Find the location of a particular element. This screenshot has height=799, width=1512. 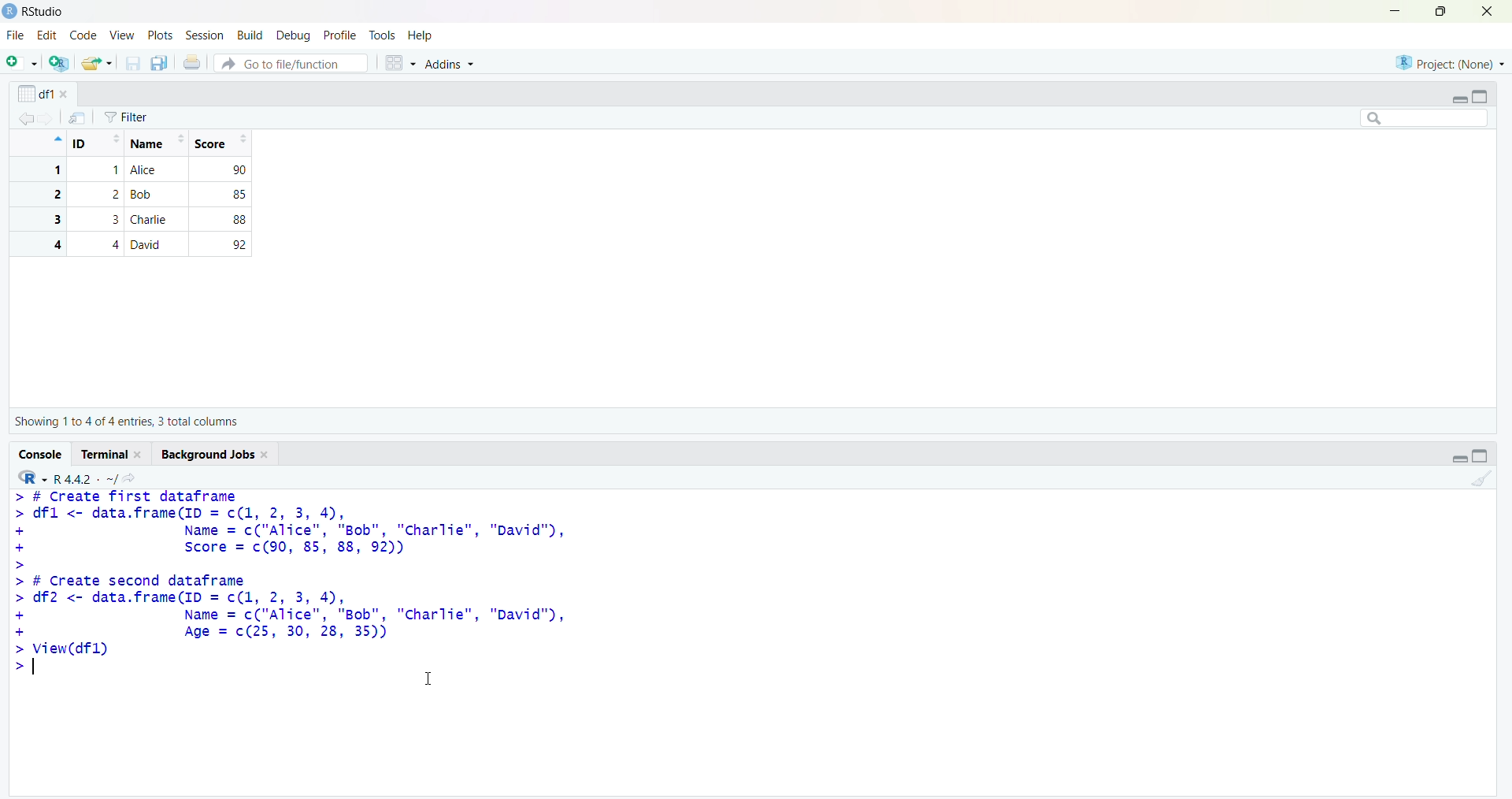

close is located at coordinates (65, 94).